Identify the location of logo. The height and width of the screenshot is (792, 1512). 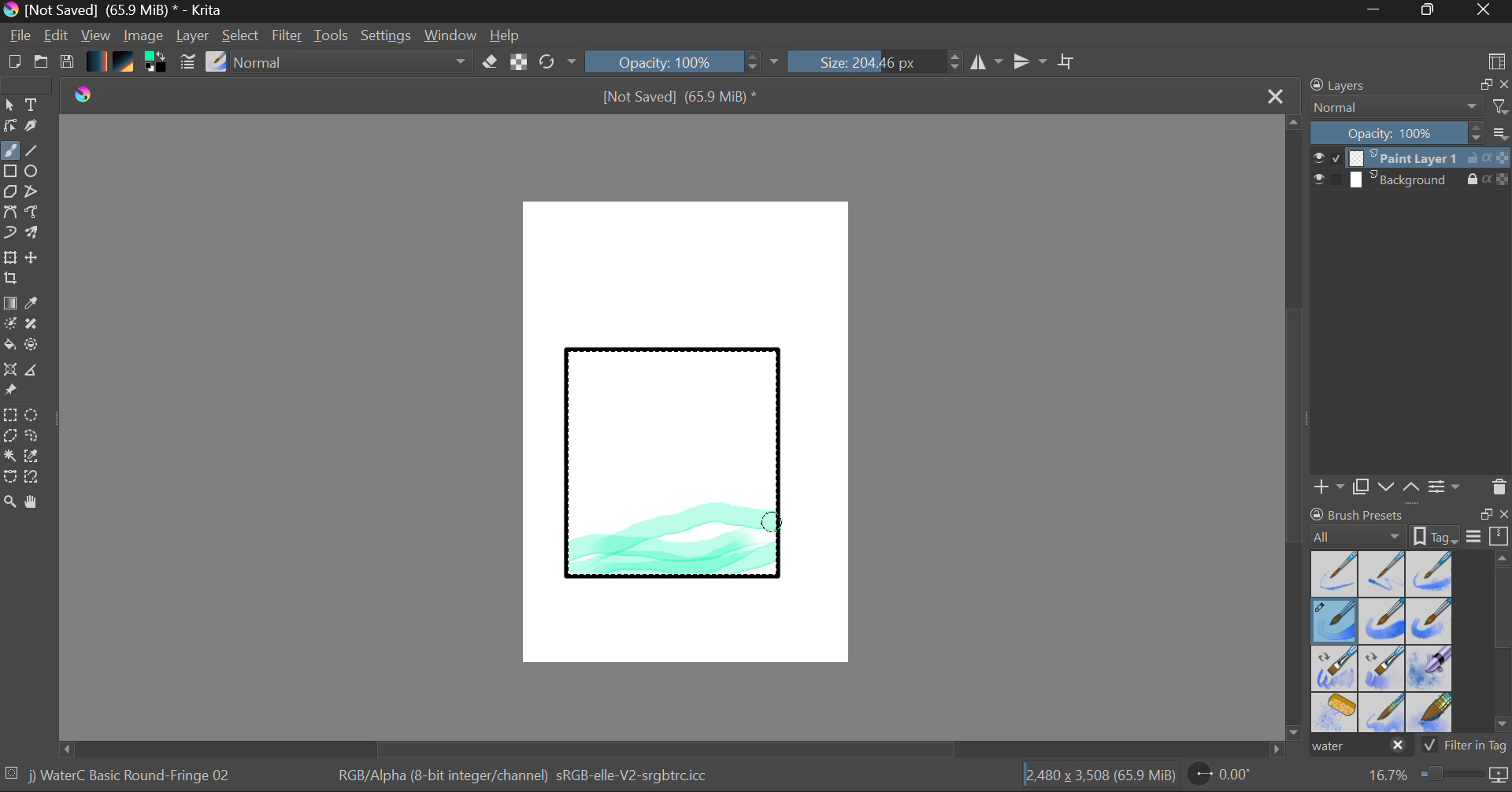
(85, 94).